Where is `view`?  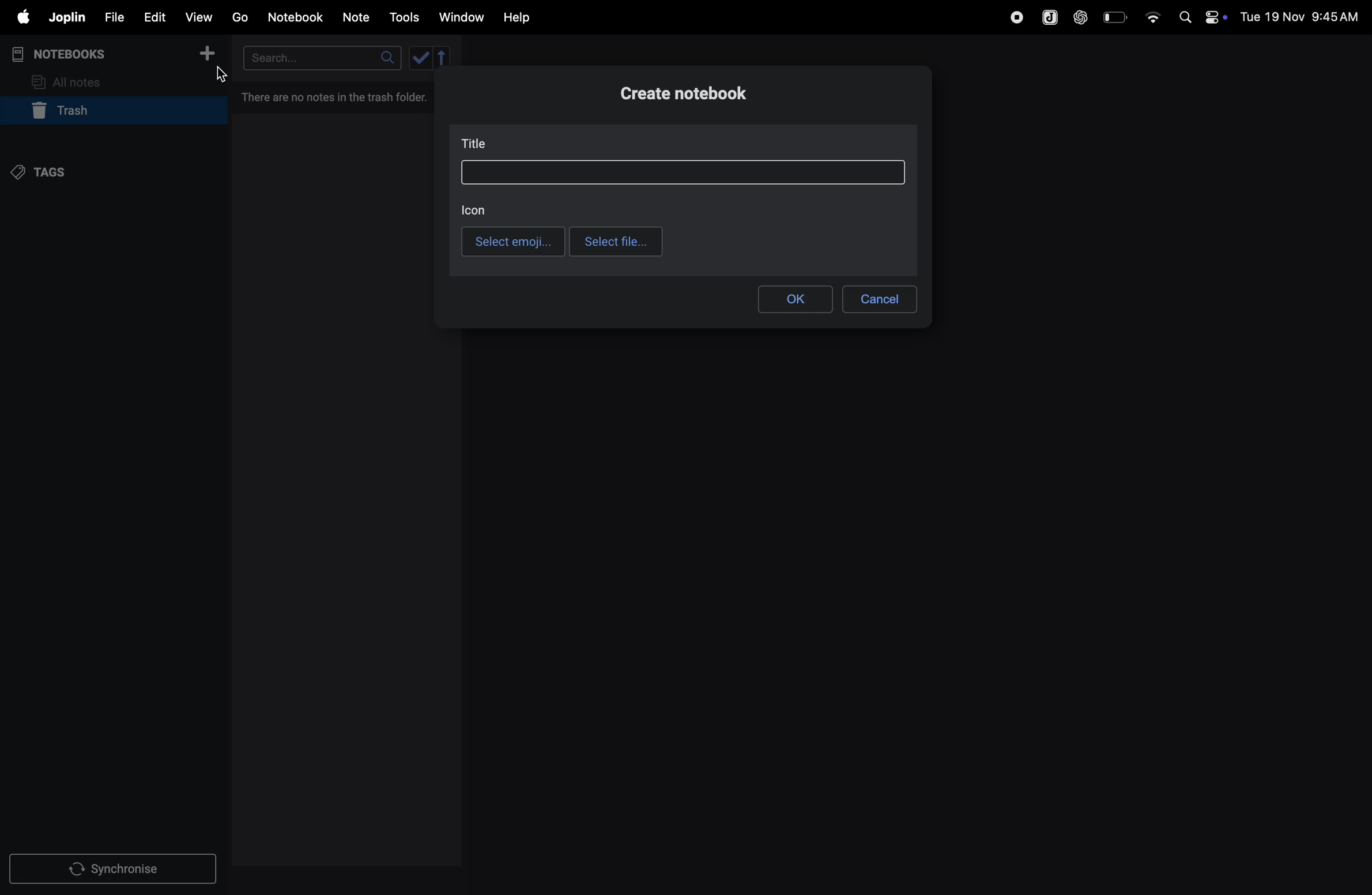
view is located at coordinates (199, 17).